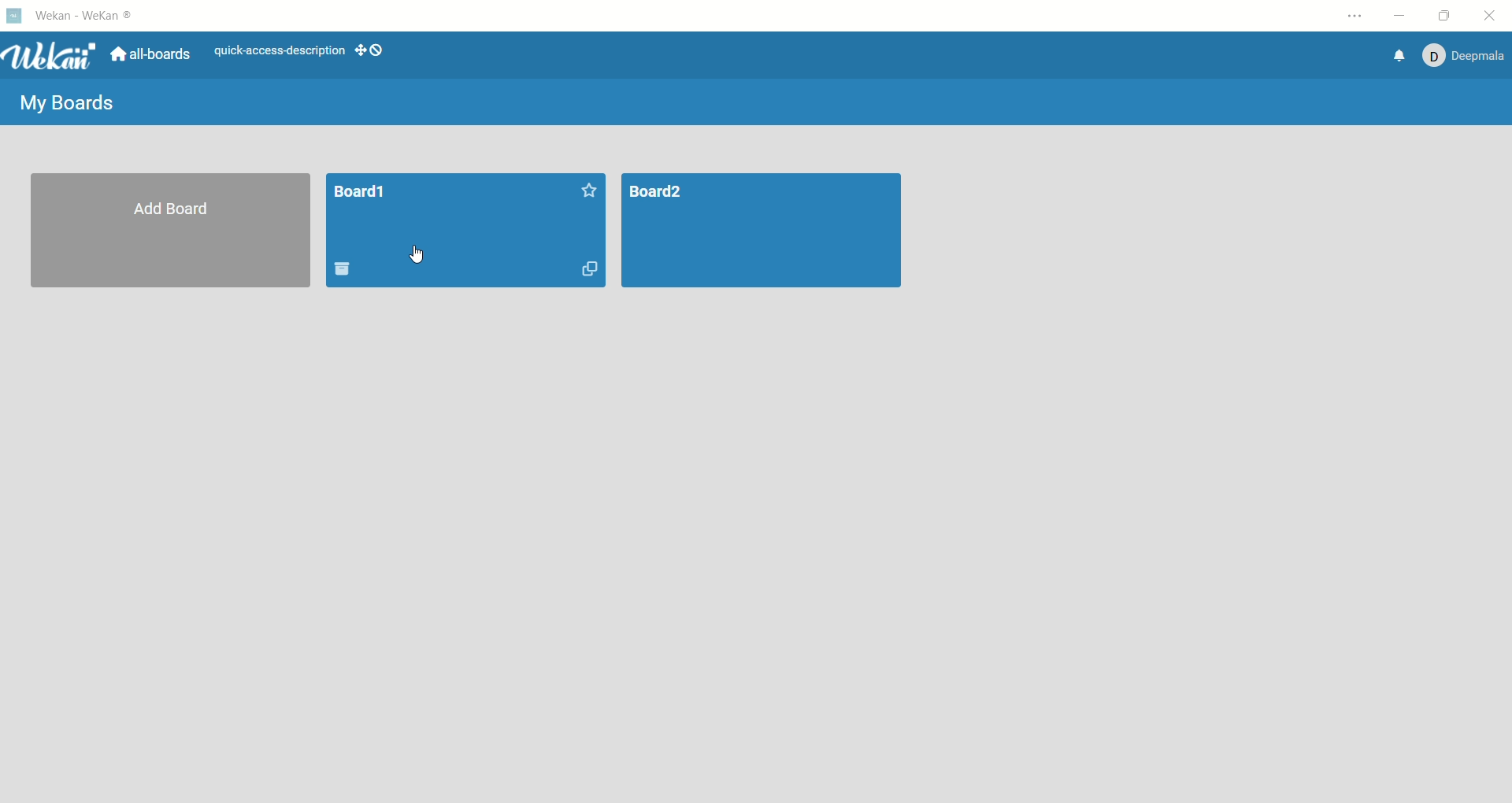 Image resolution: width=1512 pixels, height=803 pixels. I want to click on notification, so click(1400, 56).